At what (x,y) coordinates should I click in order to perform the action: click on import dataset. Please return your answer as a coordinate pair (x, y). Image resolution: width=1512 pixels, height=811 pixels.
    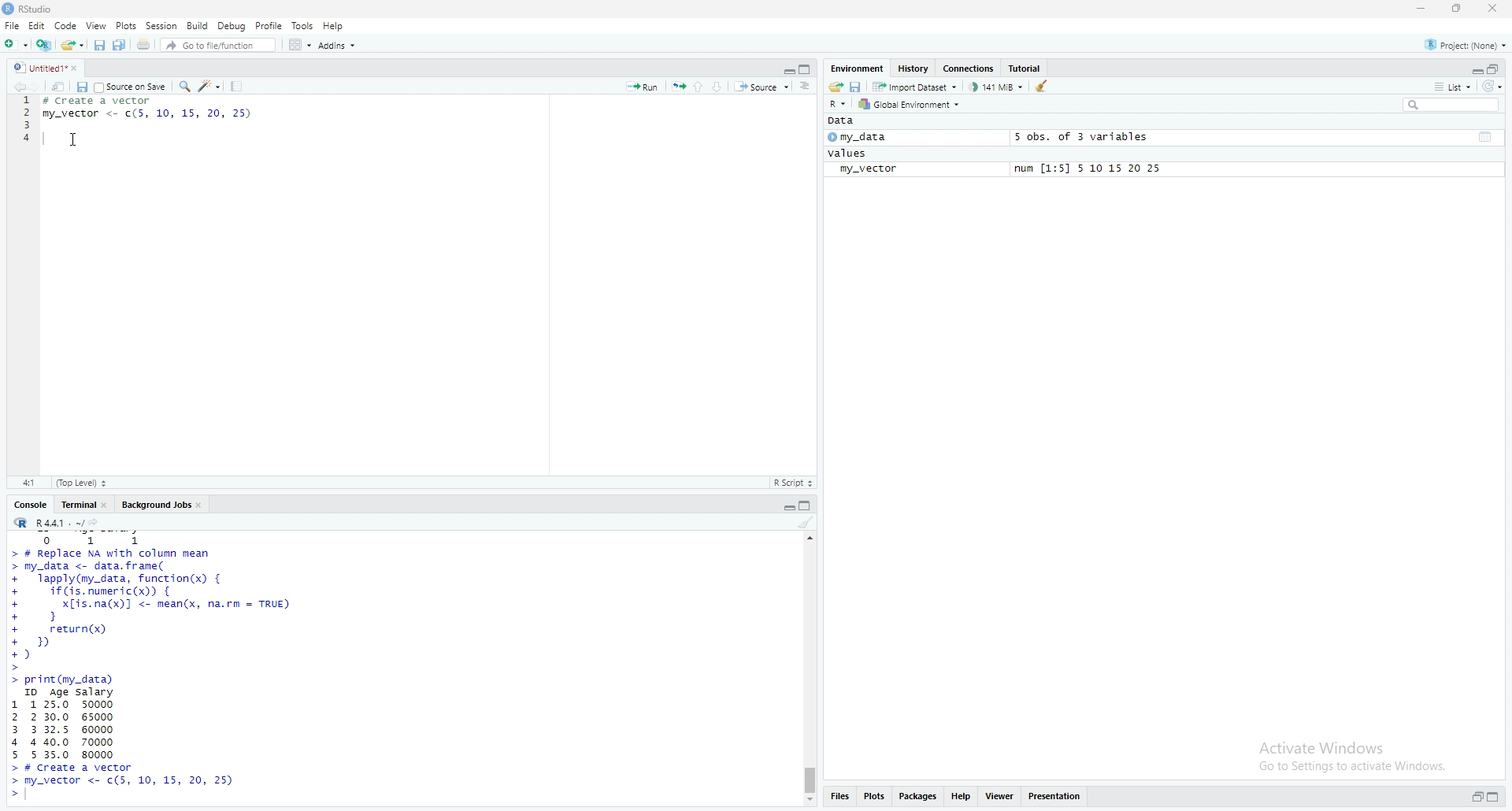
    Looking at the image, I should click on (915, 87).